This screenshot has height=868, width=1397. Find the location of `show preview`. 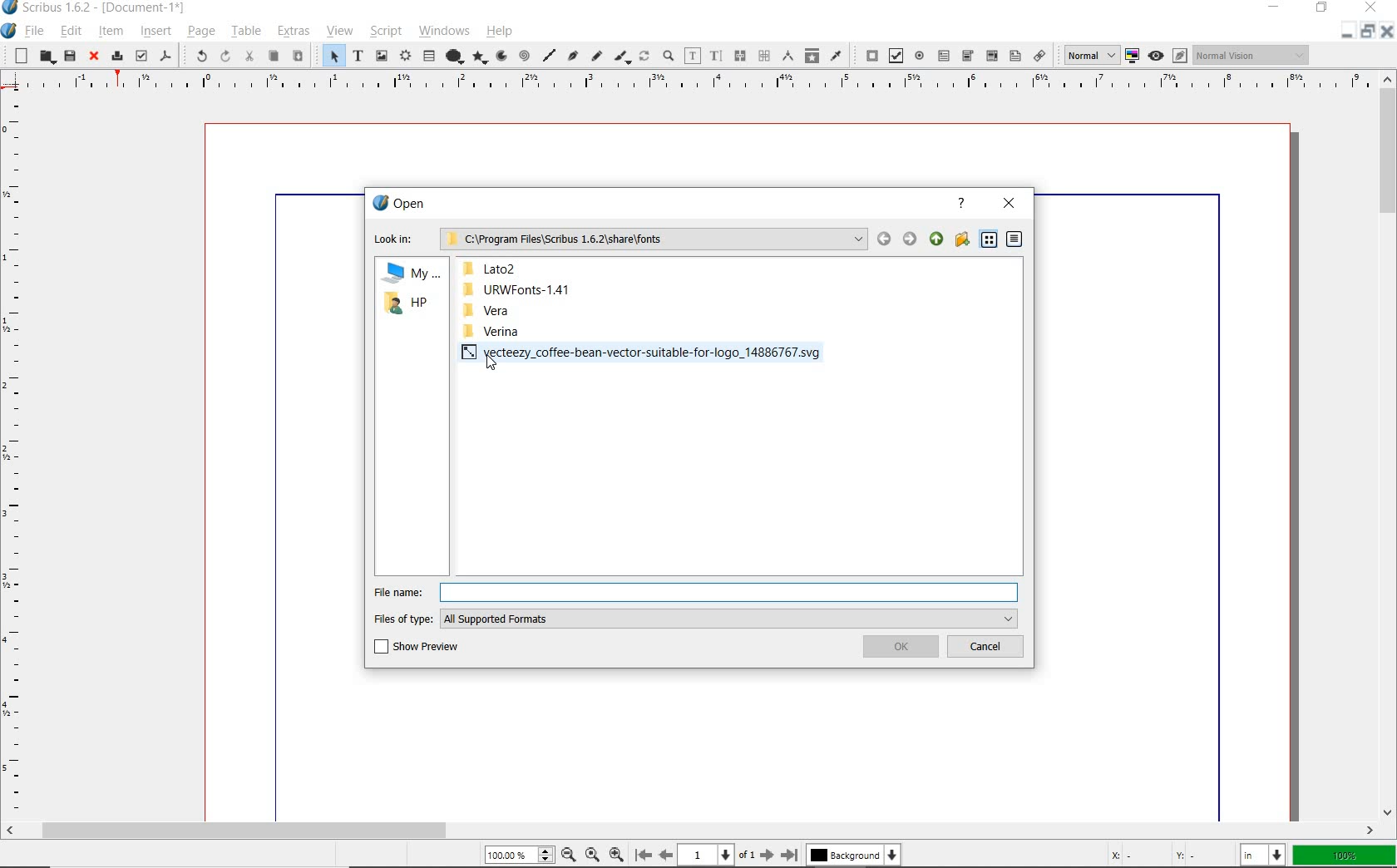

show preview is located at coordinates (422, 650).